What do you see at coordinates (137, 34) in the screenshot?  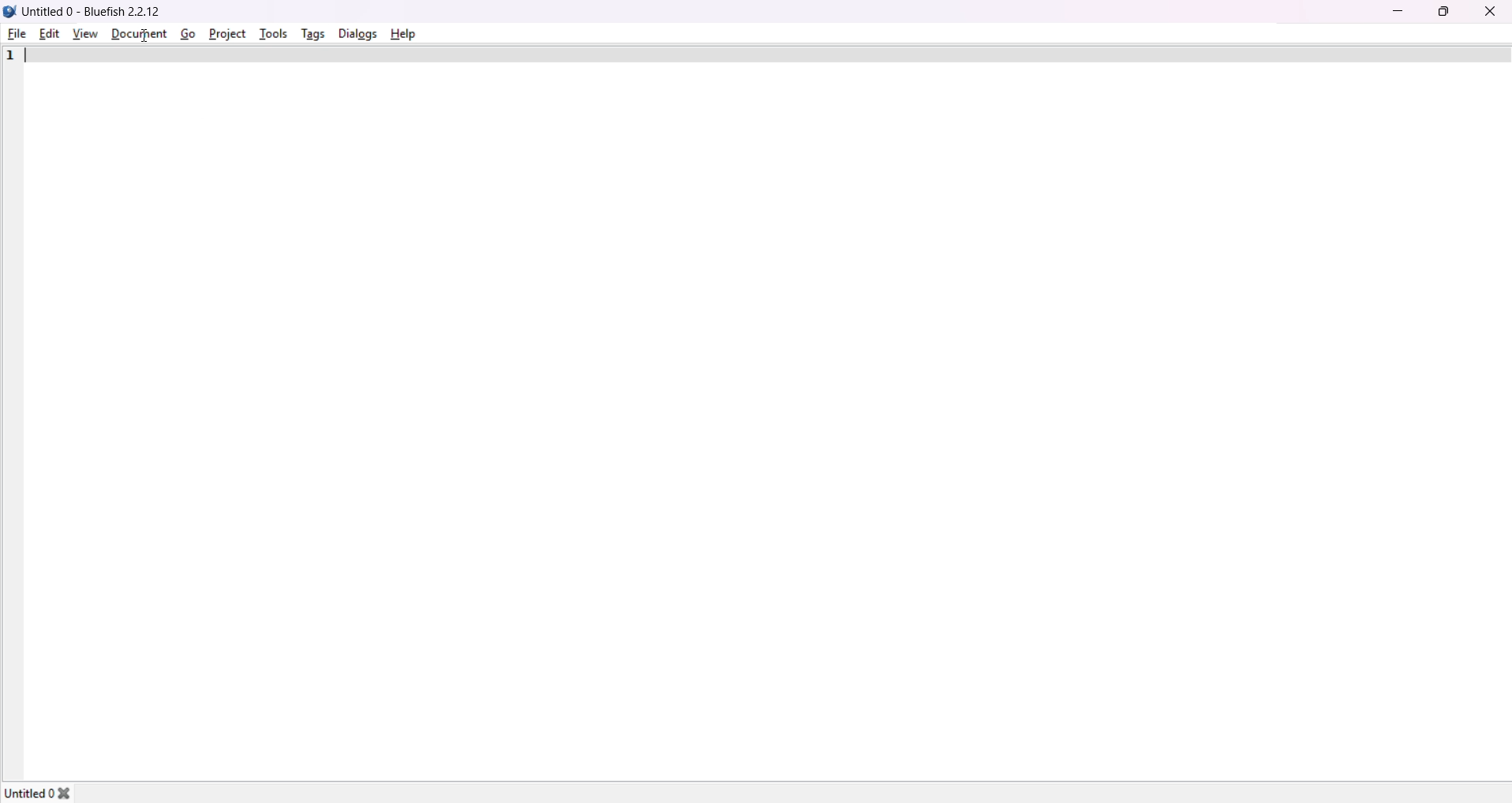 I see `document` at bounding box center [137, 34].